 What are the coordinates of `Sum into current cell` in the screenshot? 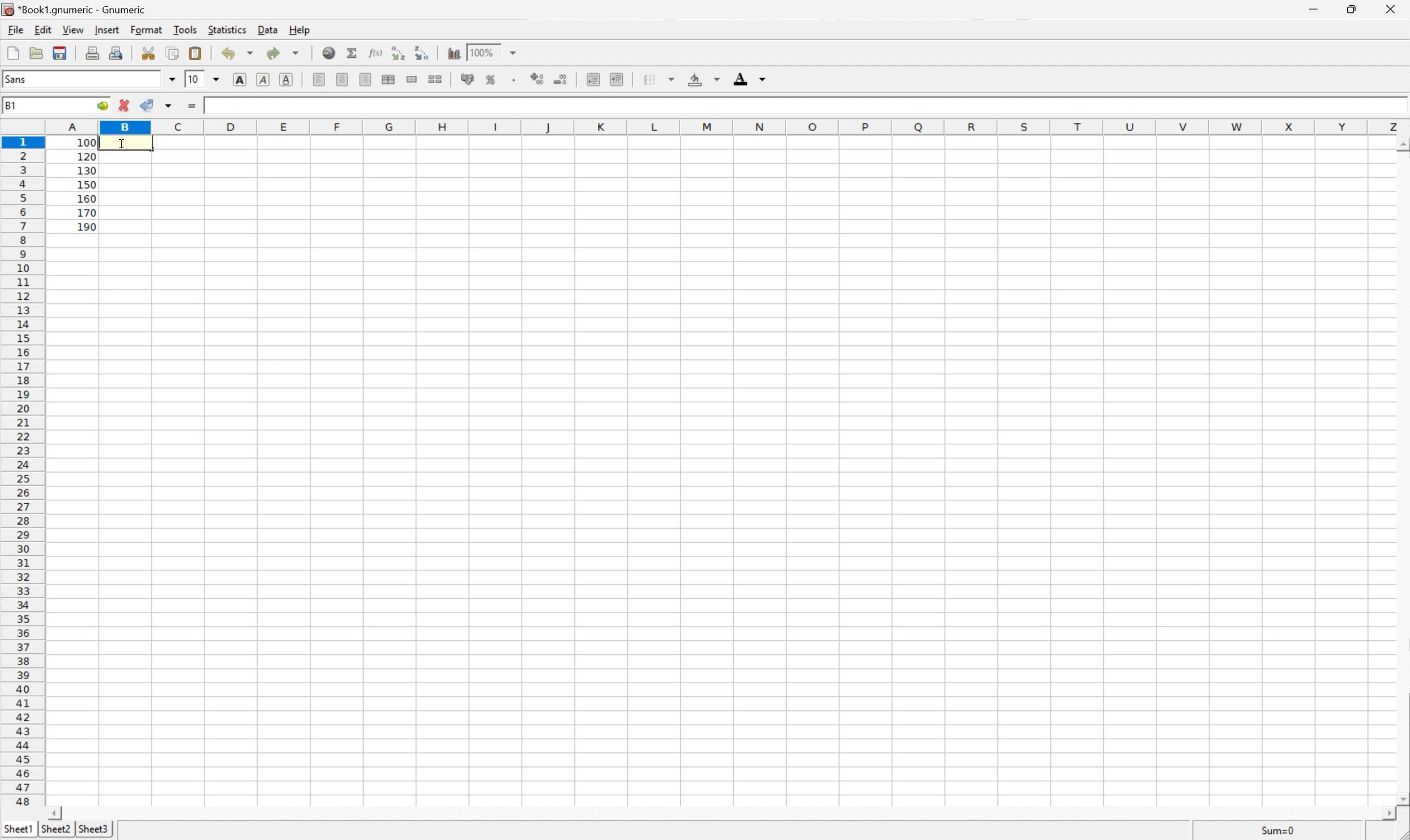 It's located at (350, 52).